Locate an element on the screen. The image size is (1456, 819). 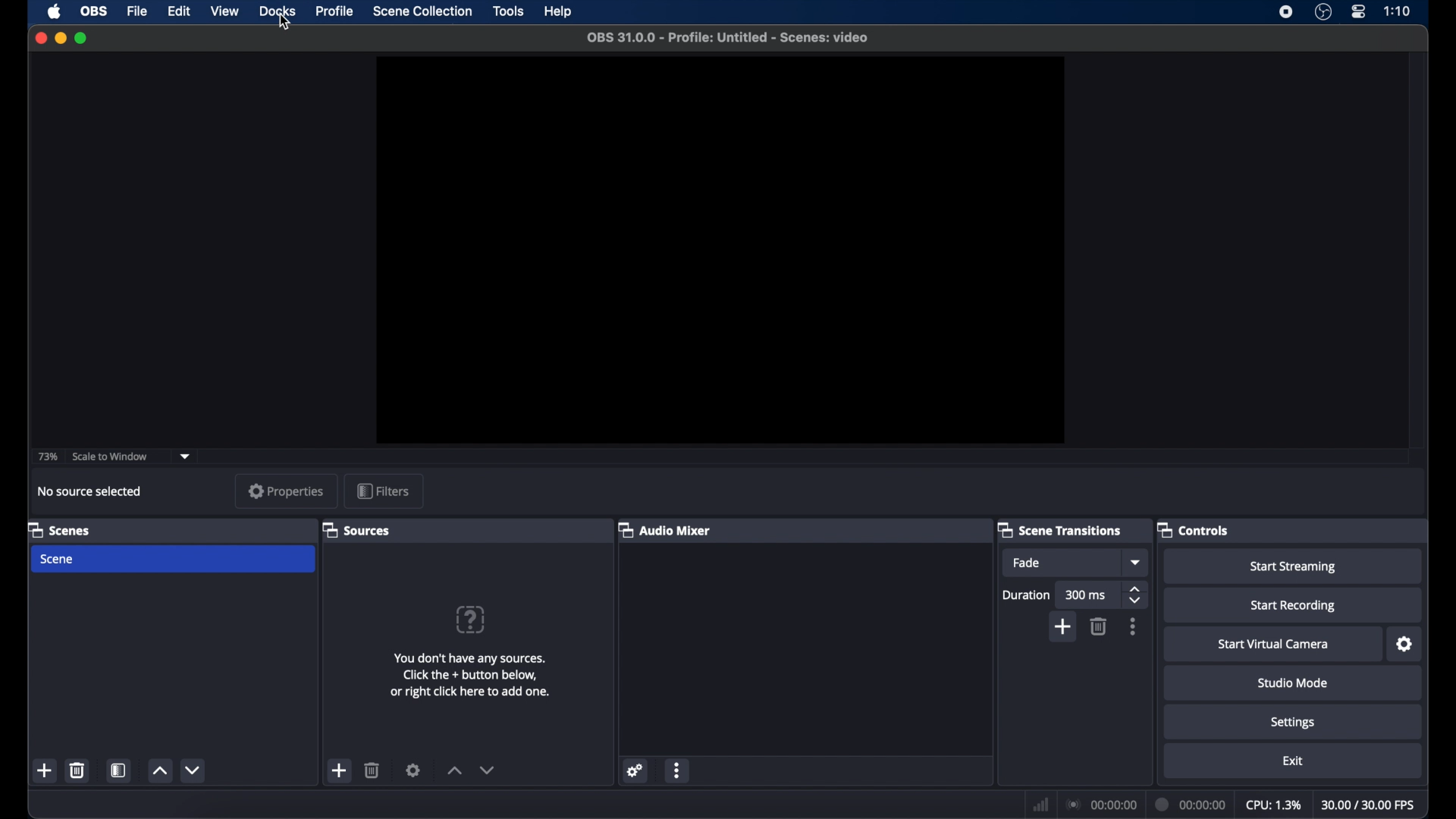
decrement is located at coordinates (487, 770).